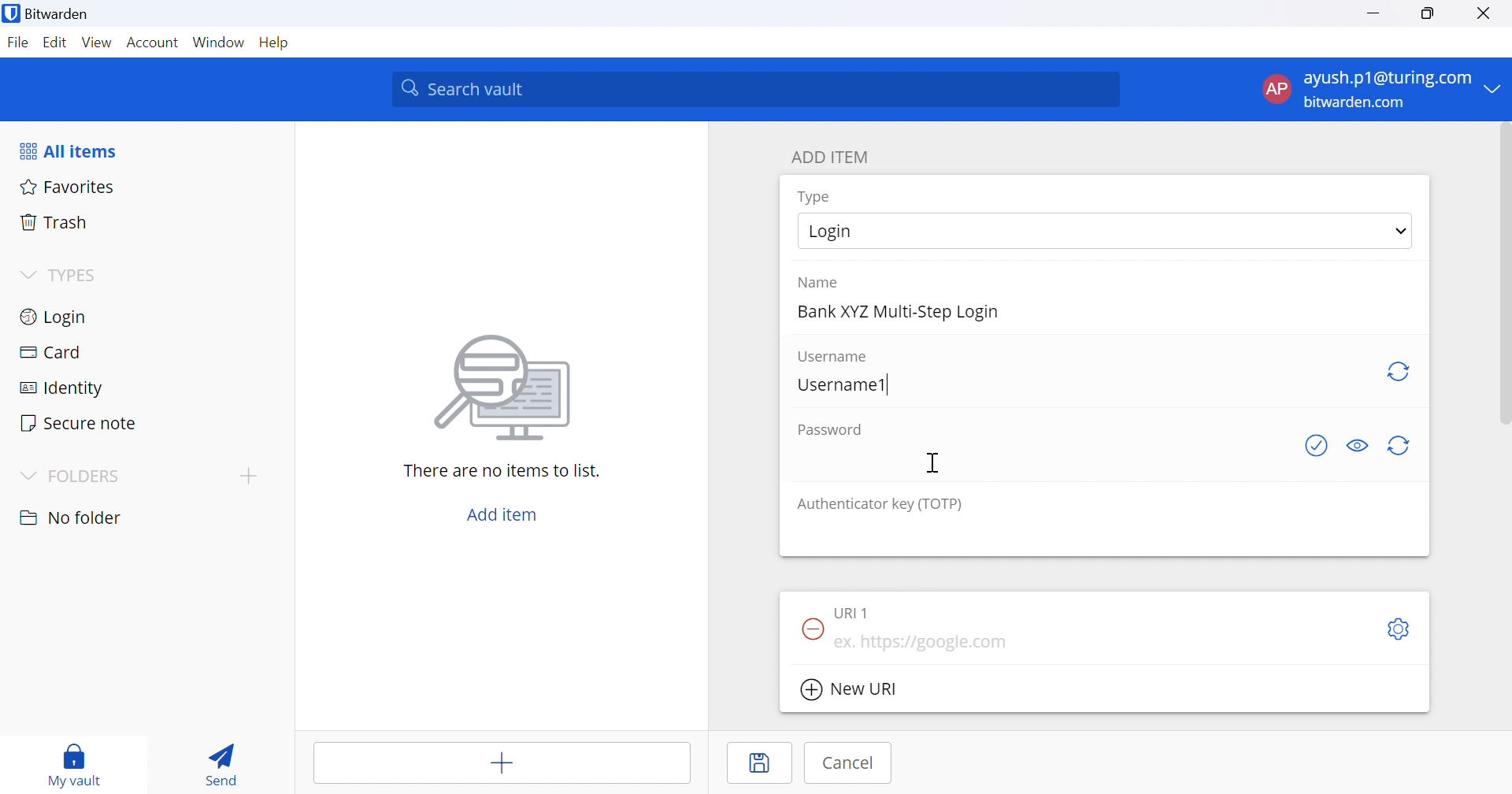 The height and width of the screenshot is (794, 1512). Describe the element at coordinates (53, 43) in the screenshot. I see `Edit` at that location.